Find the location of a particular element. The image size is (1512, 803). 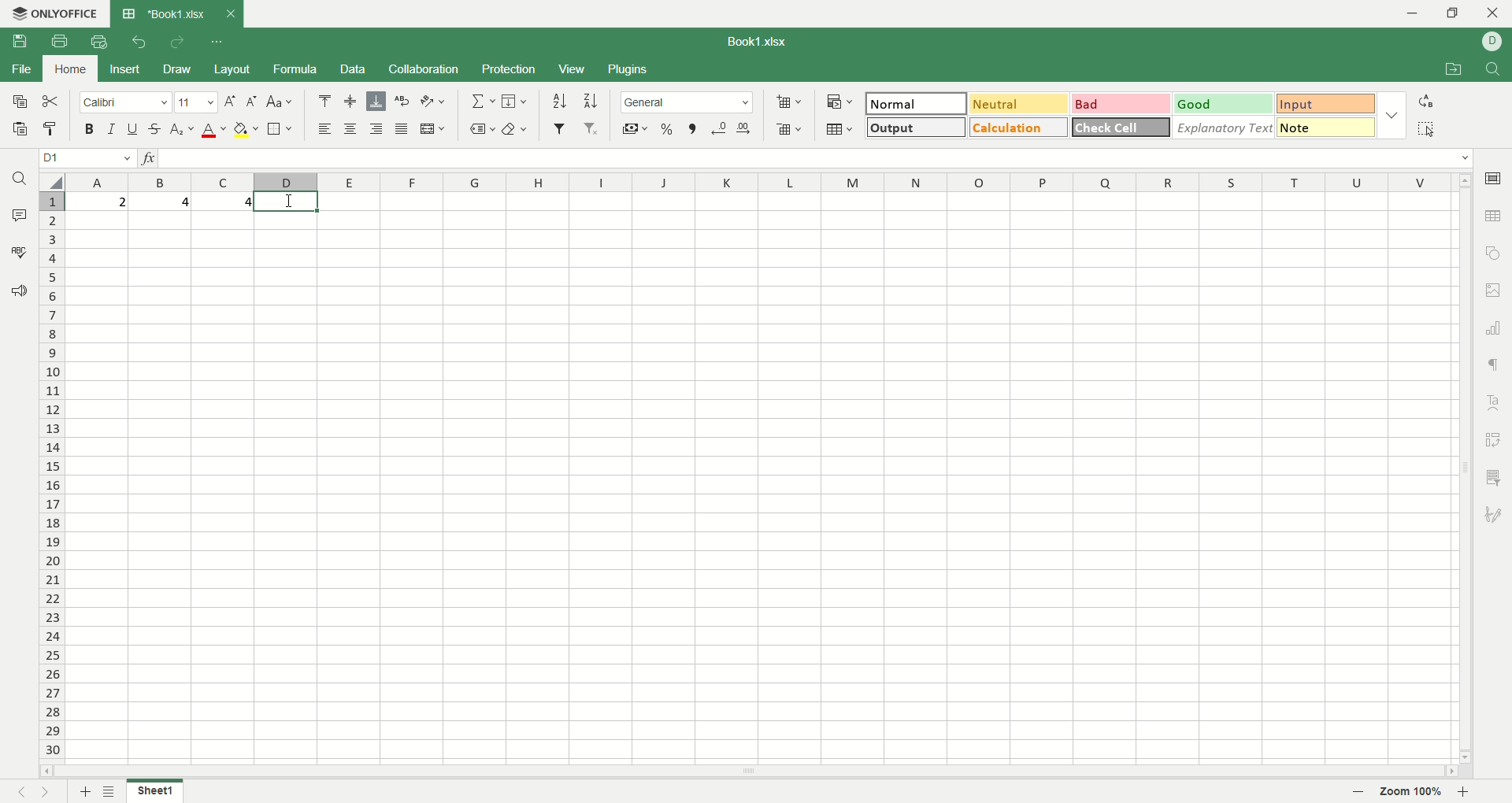

function is located at coordinates (145, 157).